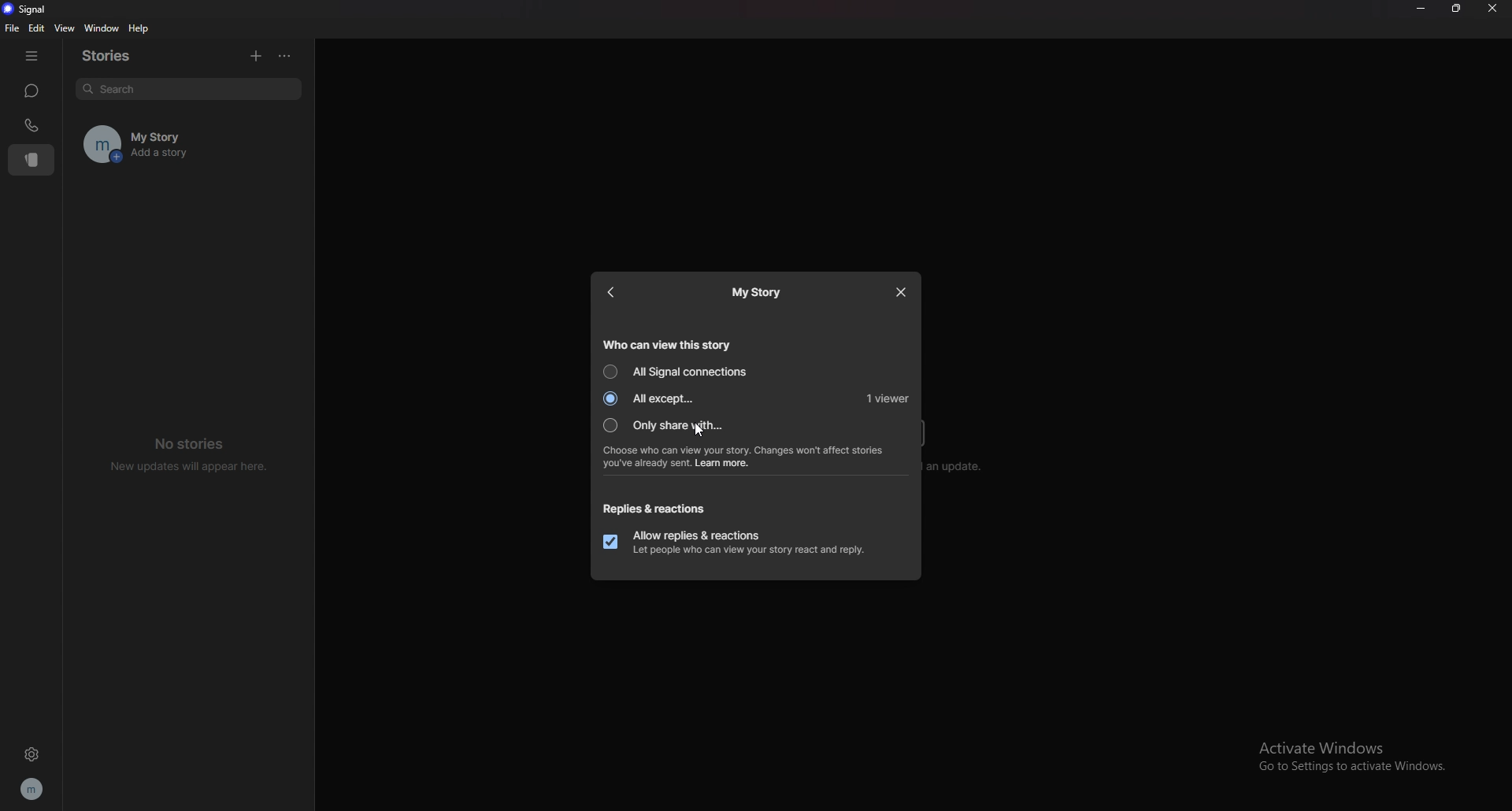 The width and height of the screenshot is (1512, 811). I want to click on allow reply and reactions, so click(739, 543).